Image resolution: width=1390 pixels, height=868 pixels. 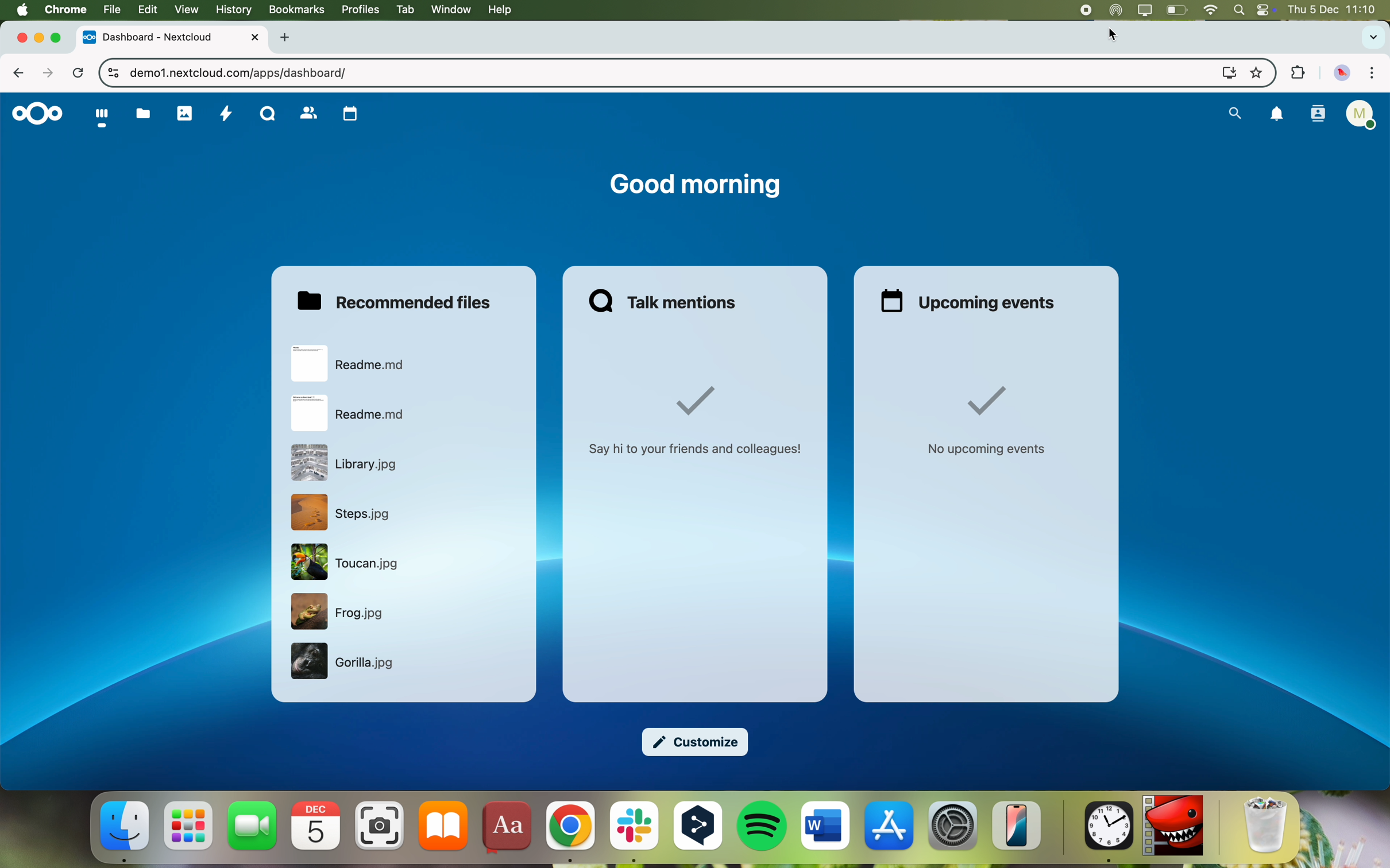 I want to click on contacts, so click(x=1318, y=115).